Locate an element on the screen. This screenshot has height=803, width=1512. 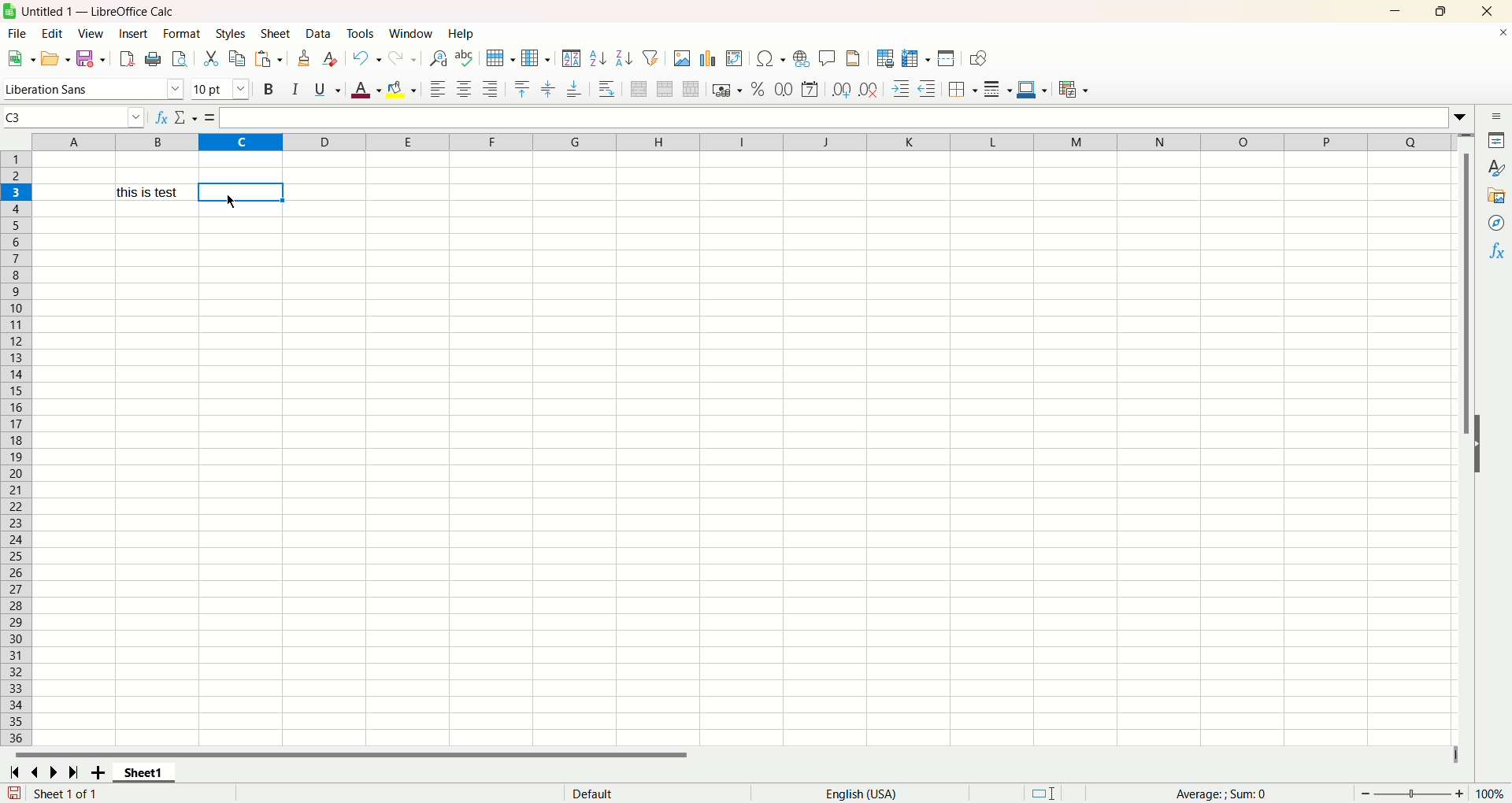
print is located at coordinates (153, 60).